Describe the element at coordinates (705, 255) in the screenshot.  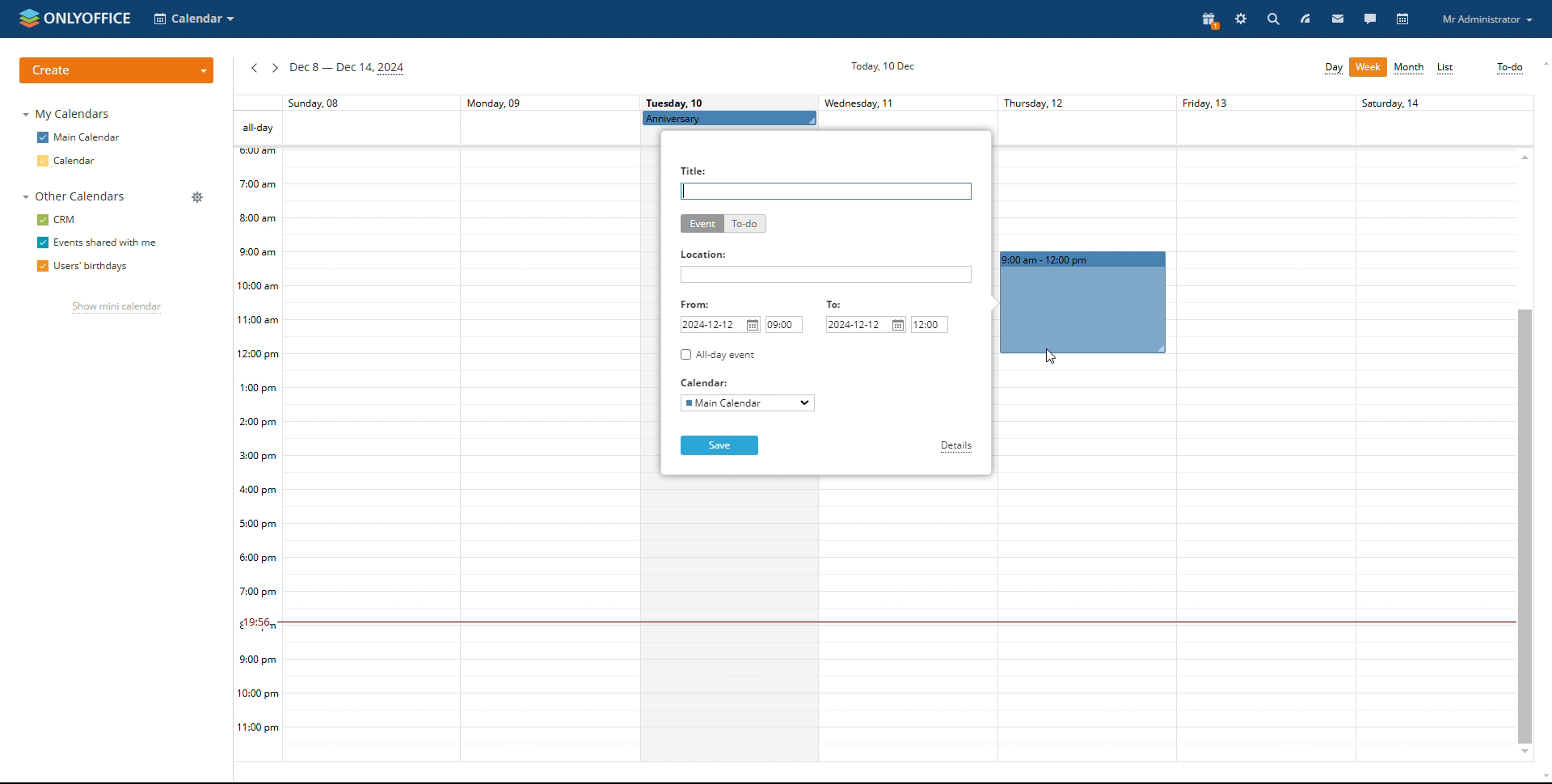
I see `Location:` at that location.